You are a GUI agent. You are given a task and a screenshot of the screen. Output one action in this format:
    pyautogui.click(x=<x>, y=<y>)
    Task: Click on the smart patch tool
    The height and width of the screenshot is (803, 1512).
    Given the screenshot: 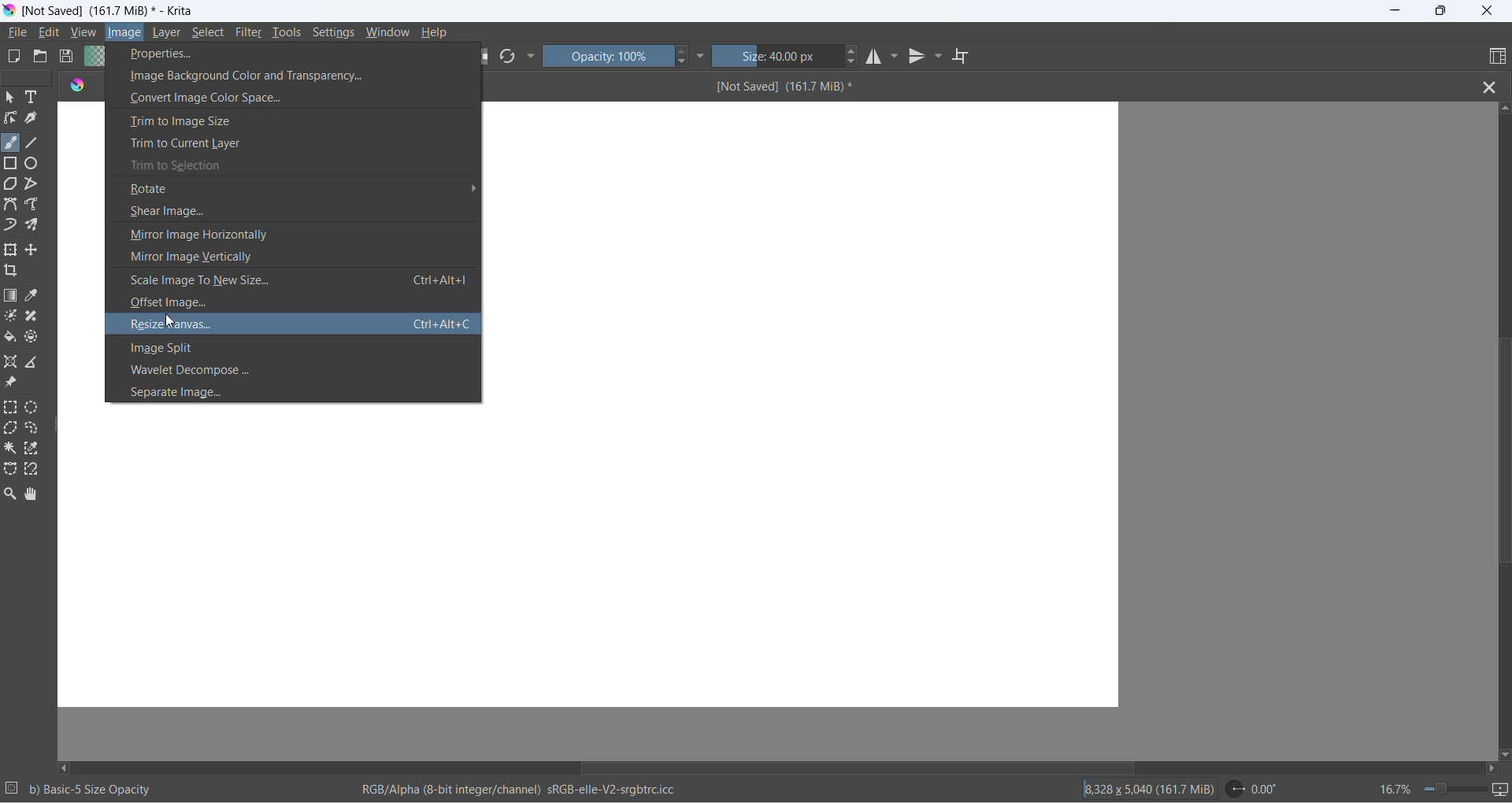 What is the action you would take?
    pyautogui.click(x=36, y=317)
    